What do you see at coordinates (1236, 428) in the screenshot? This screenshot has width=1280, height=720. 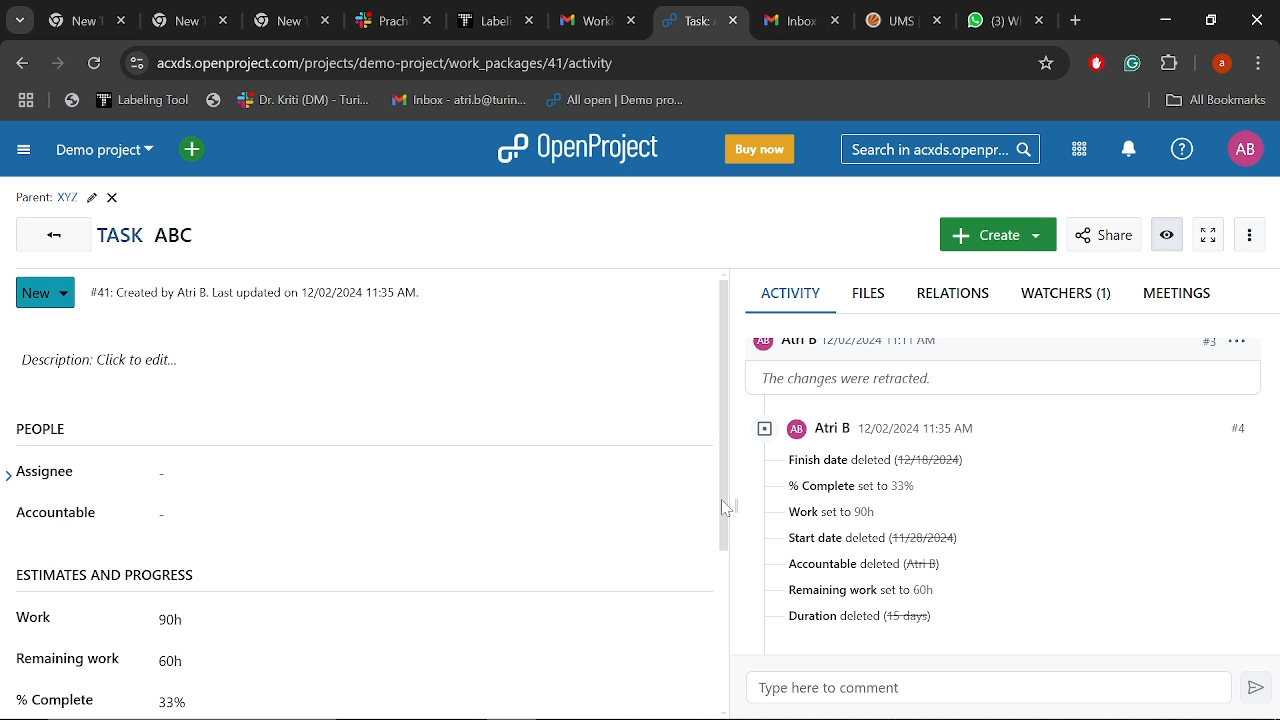 I see `#4` at bounding box center [1236, 428].